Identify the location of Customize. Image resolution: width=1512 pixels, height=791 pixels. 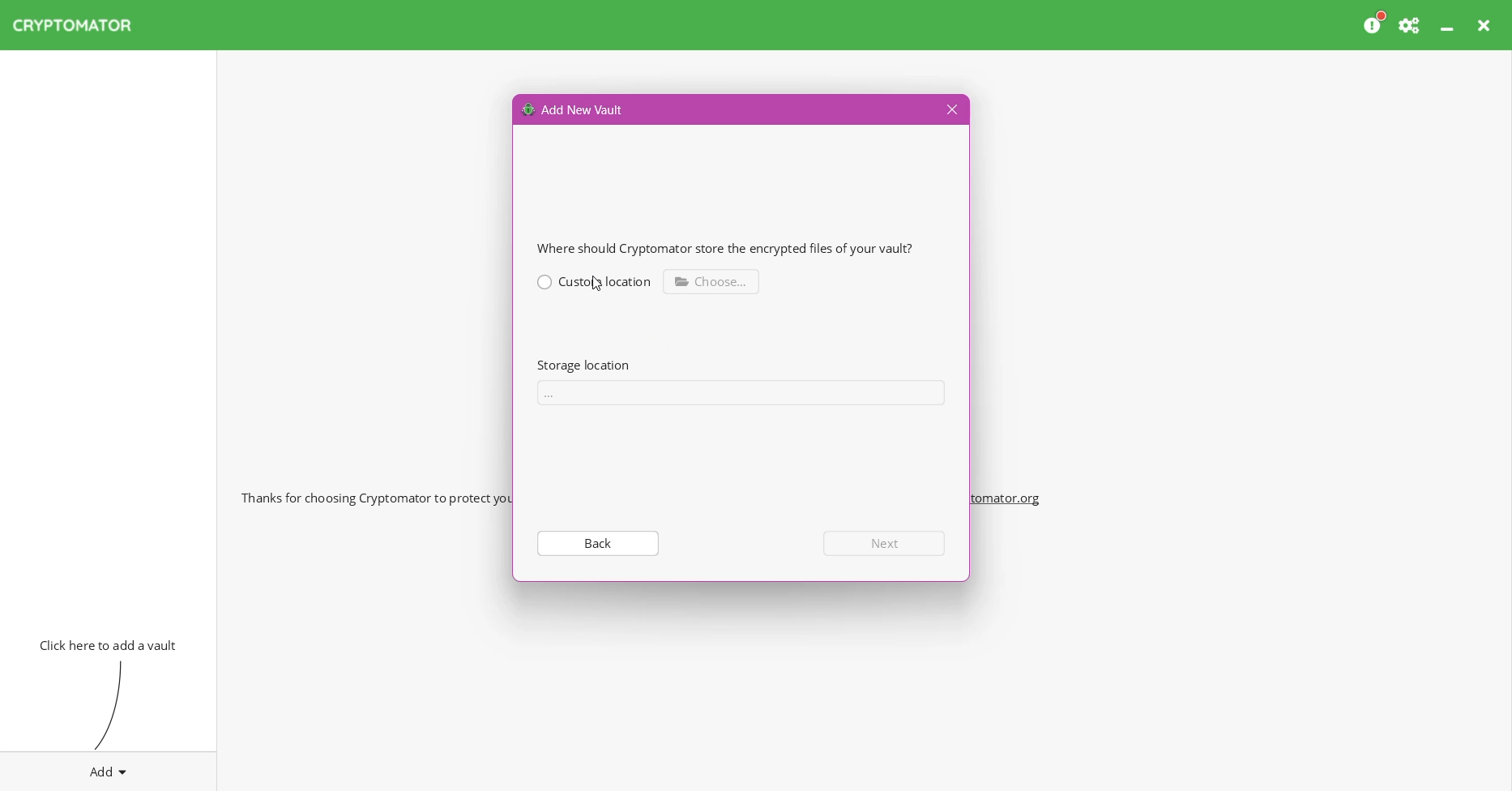
(713, 280).